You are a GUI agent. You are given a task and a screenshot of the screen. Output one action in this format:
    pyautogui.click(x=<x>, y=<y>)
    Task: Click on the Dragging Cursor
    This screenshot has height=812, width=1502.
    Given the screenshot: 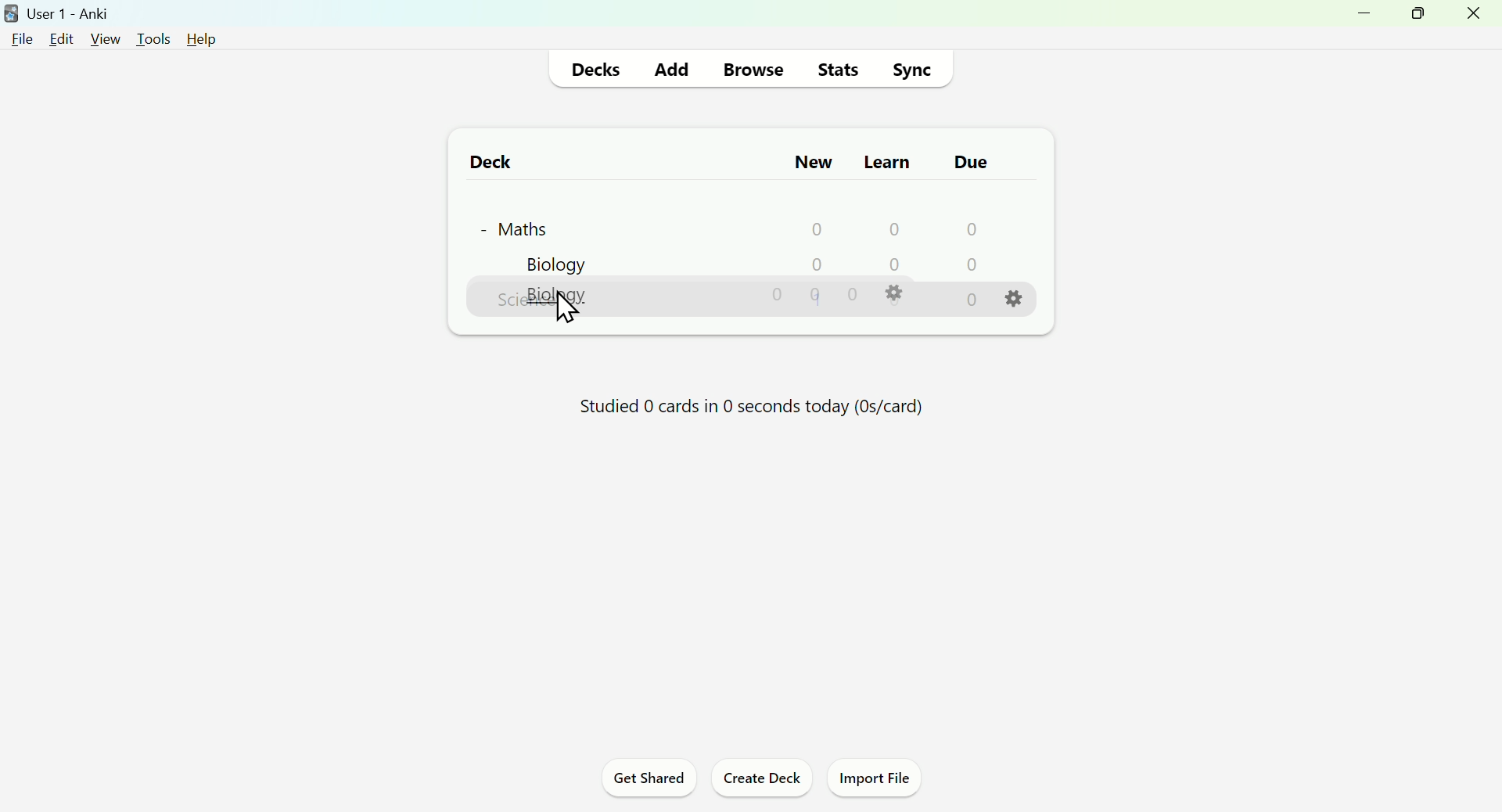 What is the action you would take?
    pyautogui.click(x=572, y=310)
    